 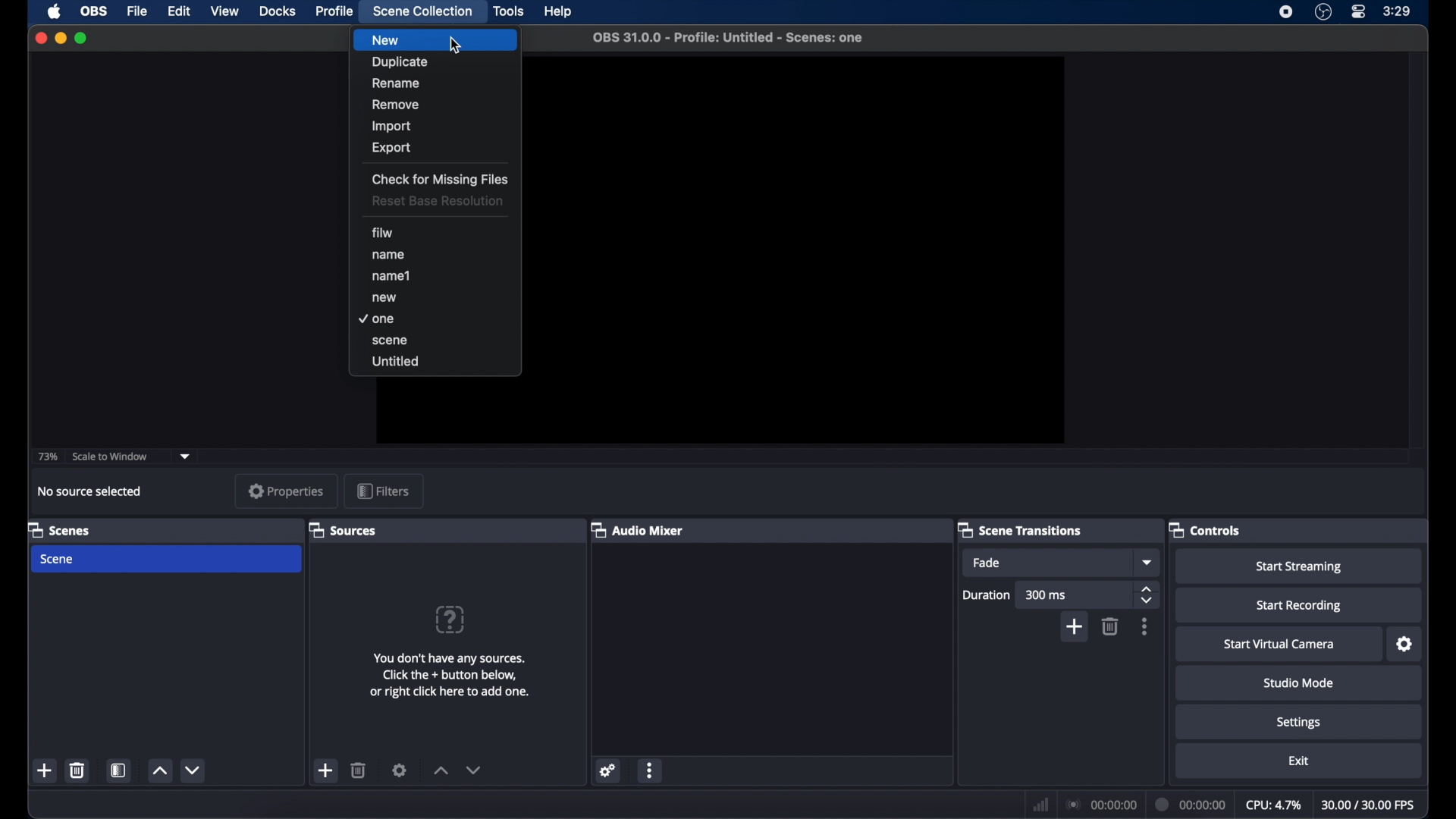 What do you see at coordinates (60, 38) in the screenshot?
I see `minimize` at bounding box center [60, 38].